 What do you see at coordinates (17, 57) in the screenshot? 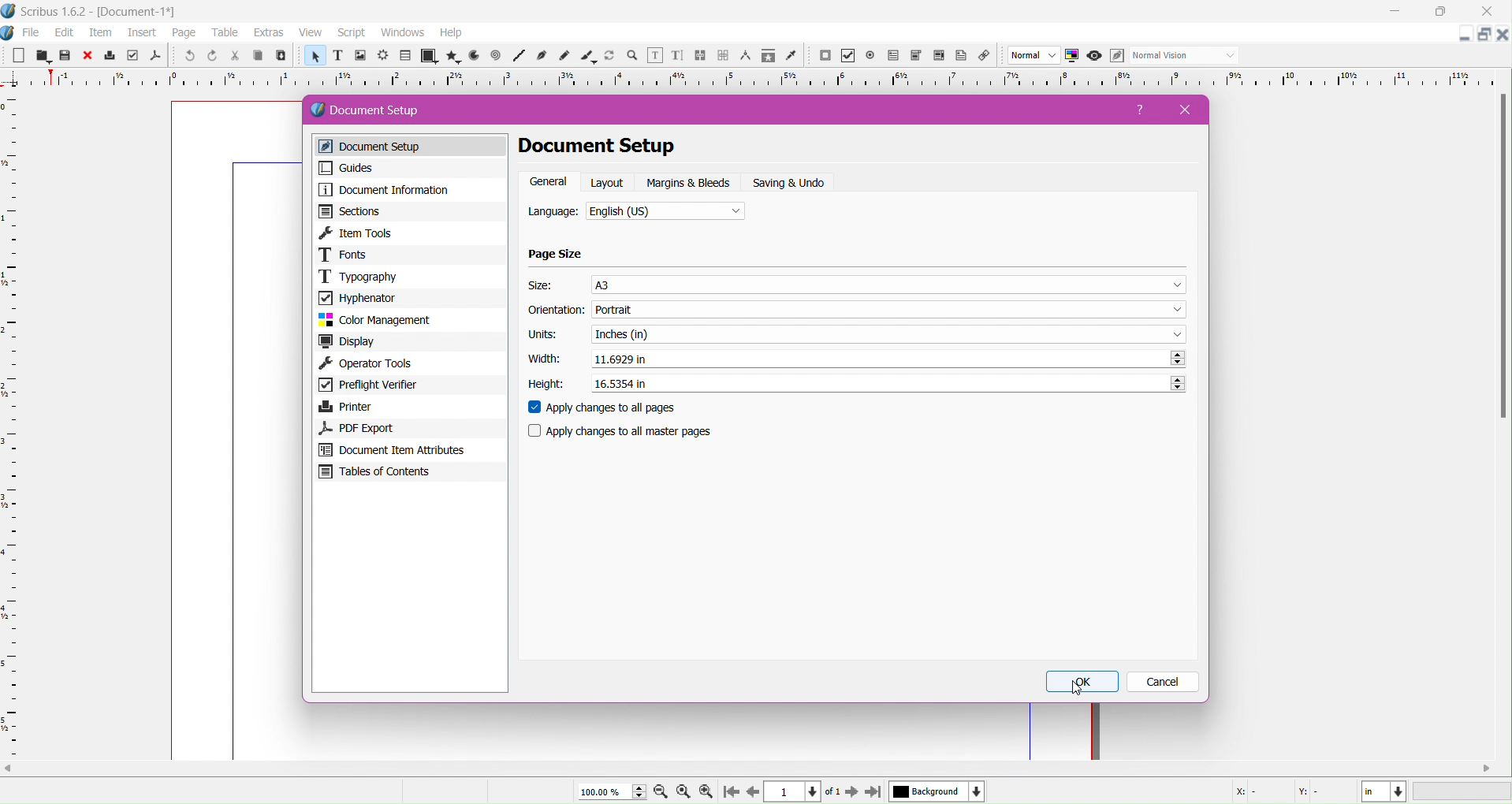
I see `new` at bounding box center [17, 57].